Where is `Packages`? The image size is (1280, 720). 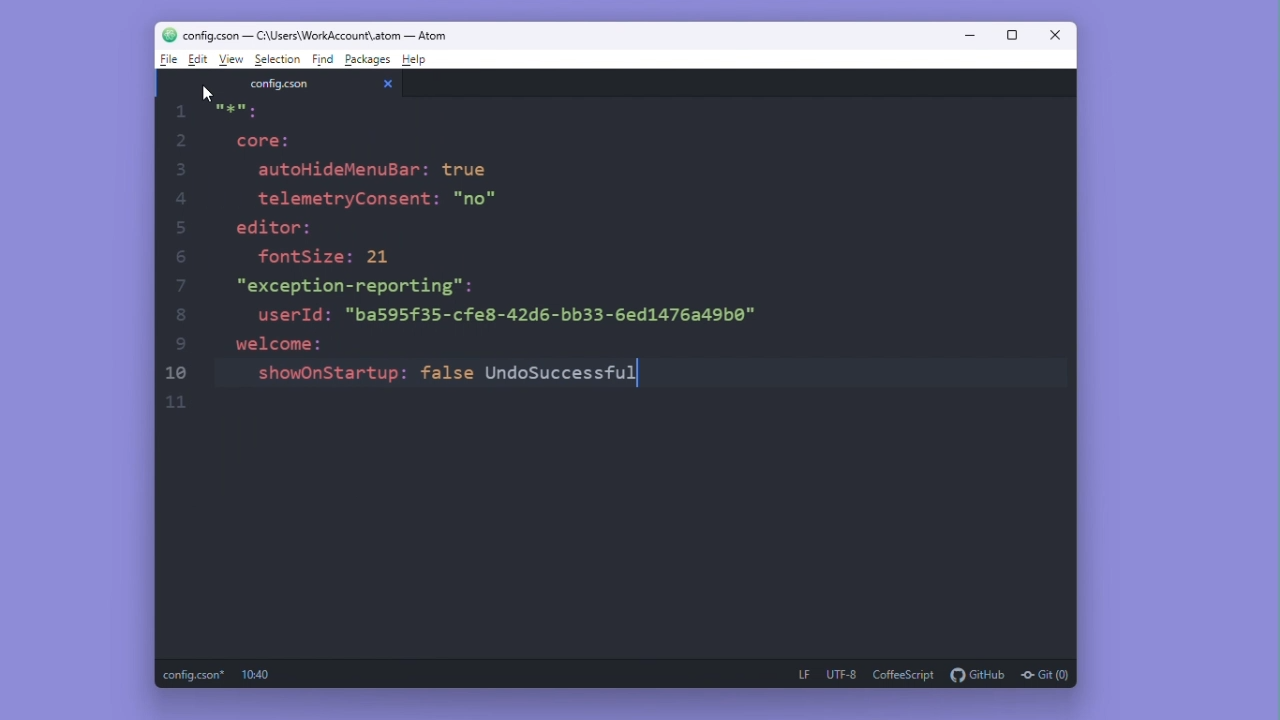
Packages is located at coordinates (369, 59).